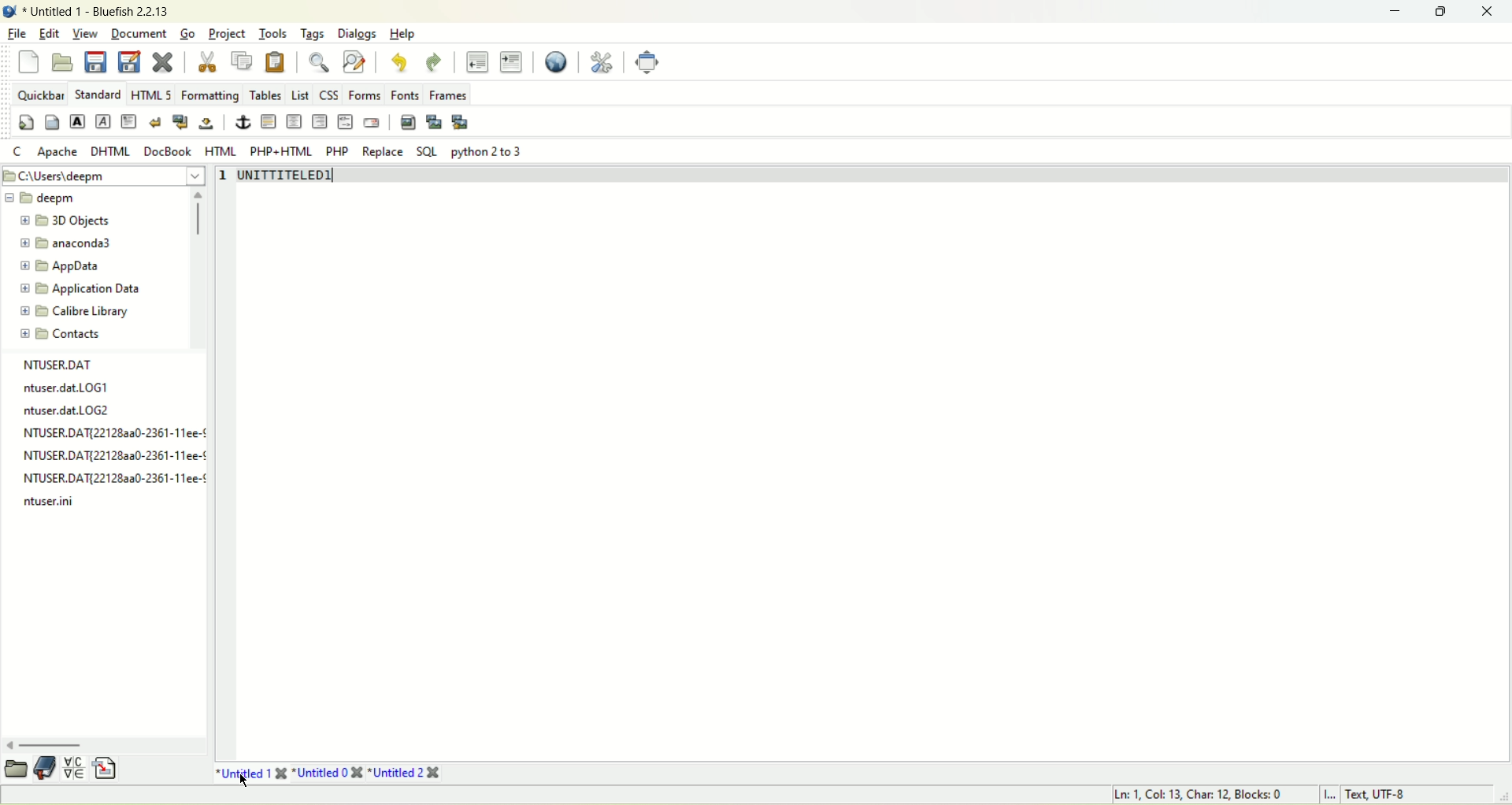  What do you see at coordinates (435, 123) in the screenshot?
I see `insert thumbnail` at bounding box center [435, 123].